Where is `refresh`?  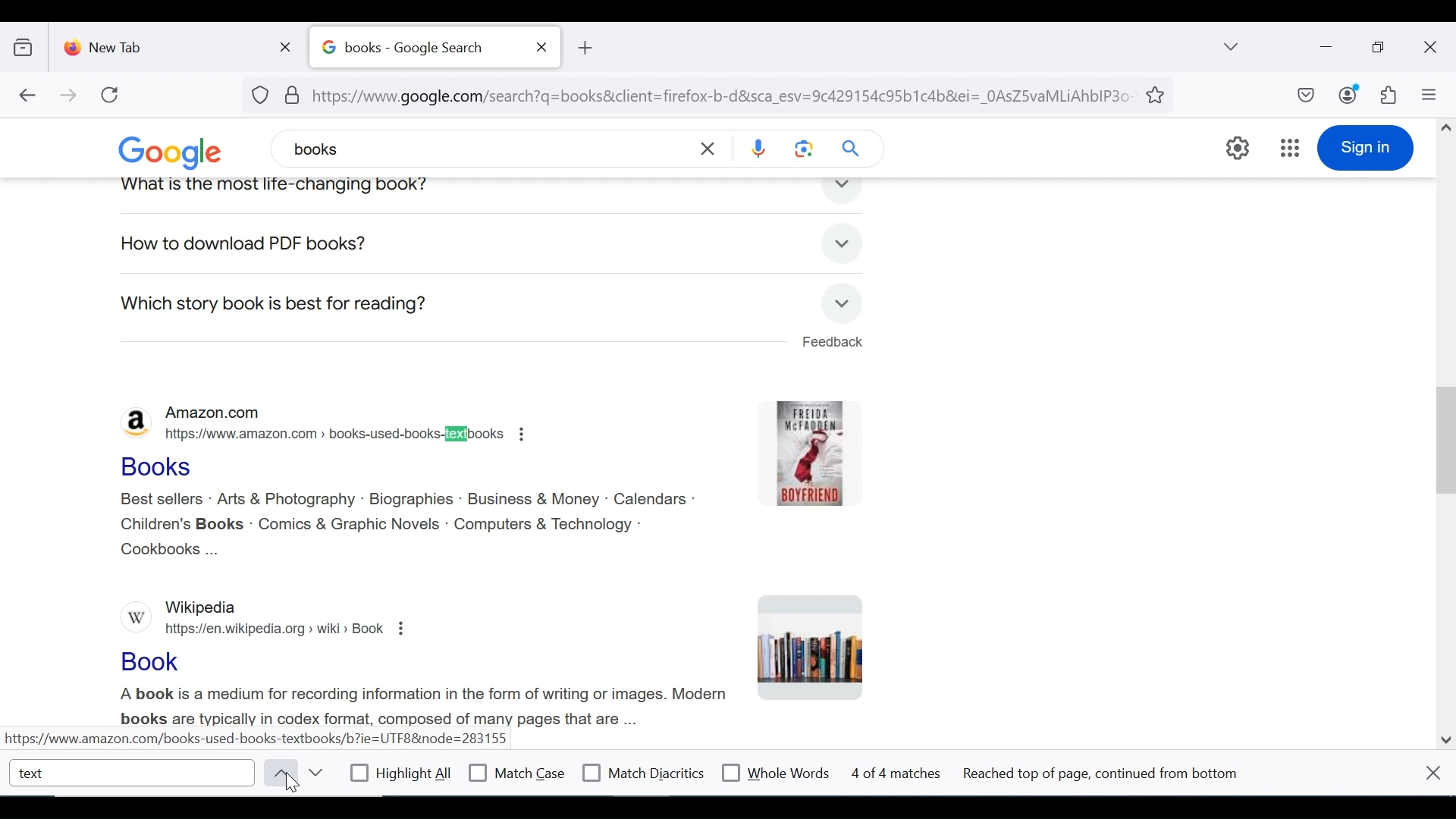
refresh is located at coordinates (111, 95).